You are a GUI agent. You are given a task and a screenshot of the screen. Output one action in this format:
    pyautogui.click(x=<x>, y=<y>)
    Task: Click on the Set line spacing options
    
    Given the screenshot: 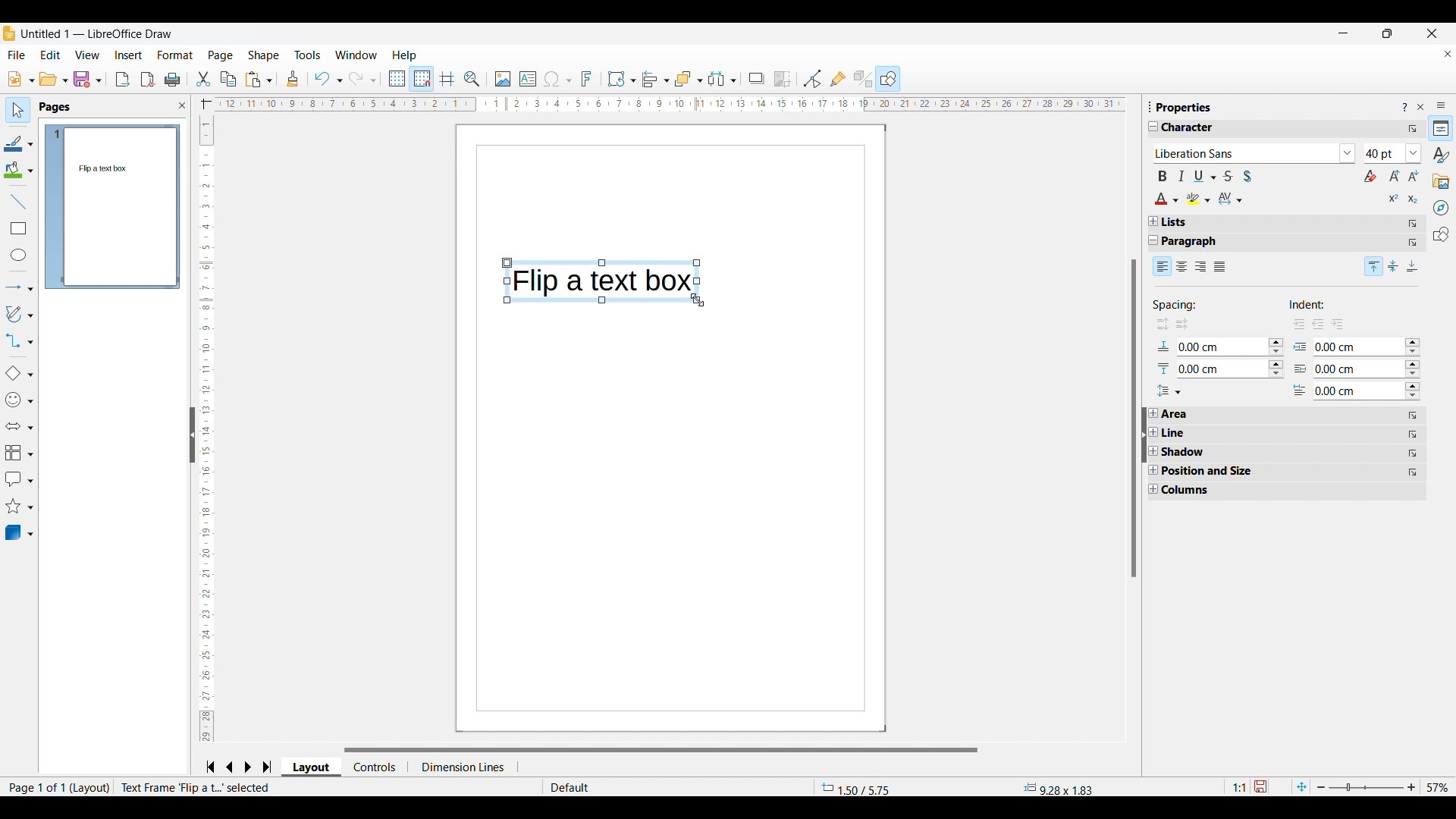 What is the action you would take?
    pyautogui.click(x=1169, y=391)
    